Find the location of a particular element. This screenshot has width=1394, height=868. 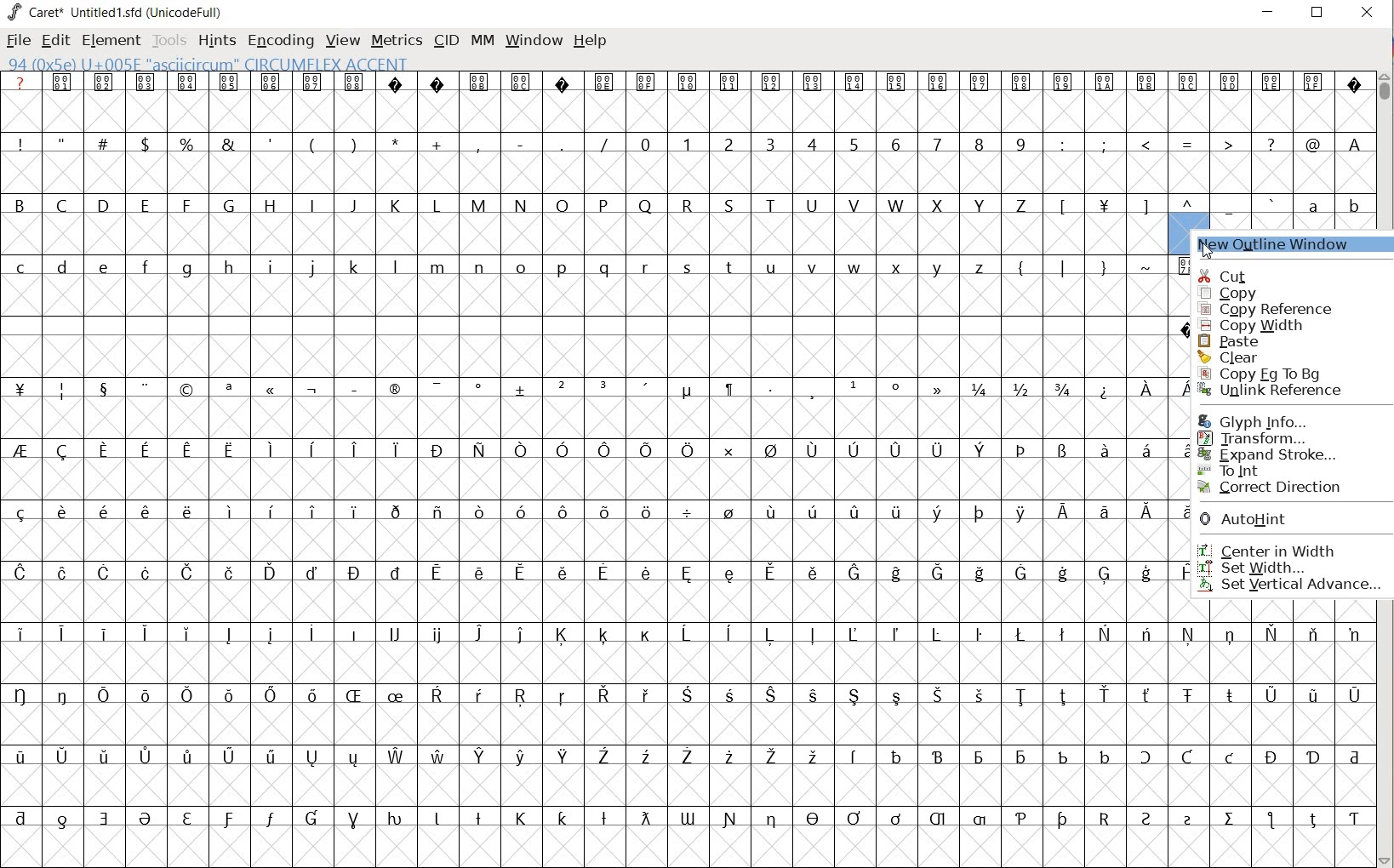

glyph info is located at coordinates (1269, 422).